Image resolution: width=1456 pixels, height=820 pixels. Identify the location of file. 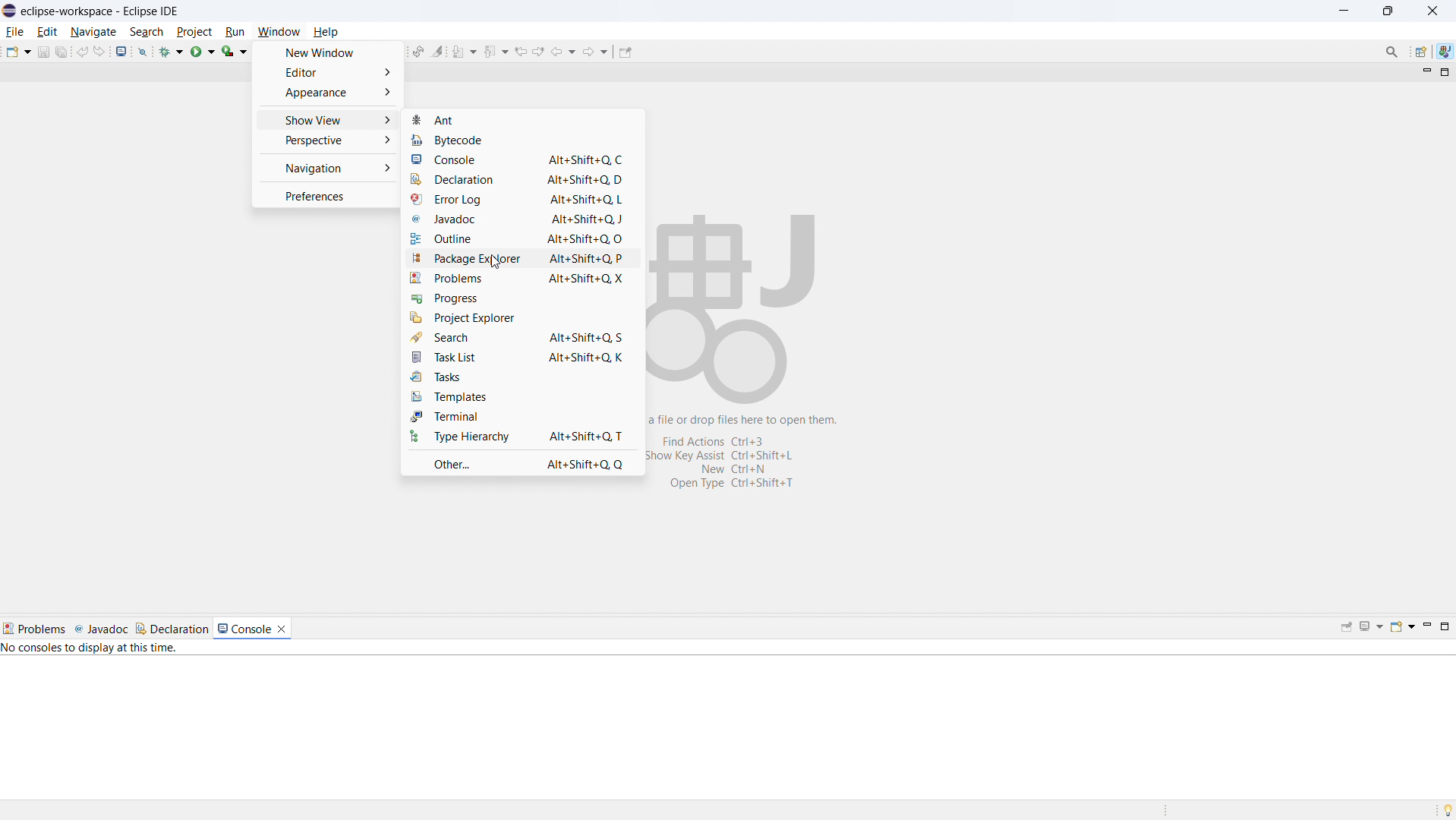
(15, 31).